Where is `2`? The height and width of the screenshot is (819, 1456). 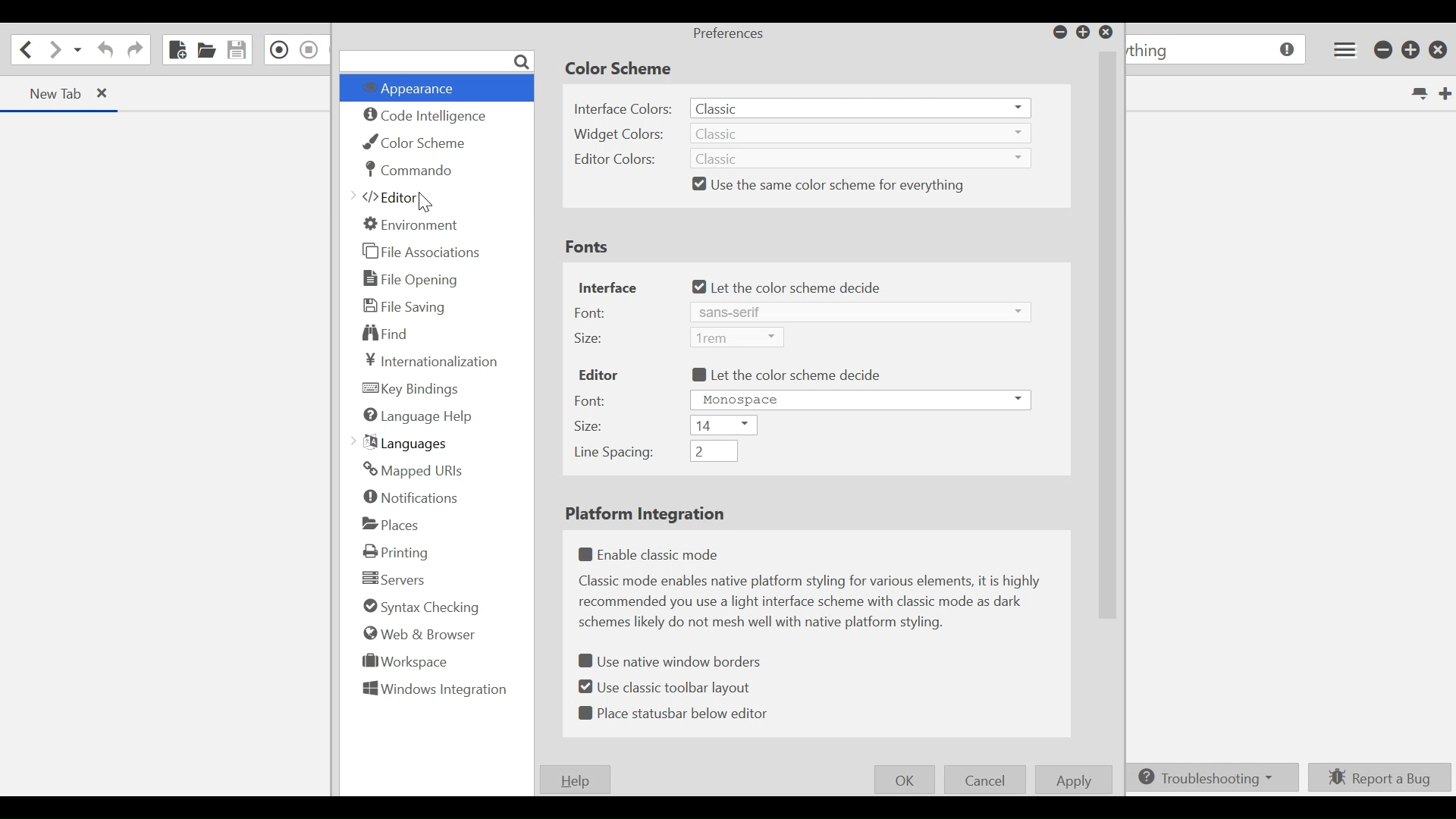 2 is located at coordinates (717, 451).